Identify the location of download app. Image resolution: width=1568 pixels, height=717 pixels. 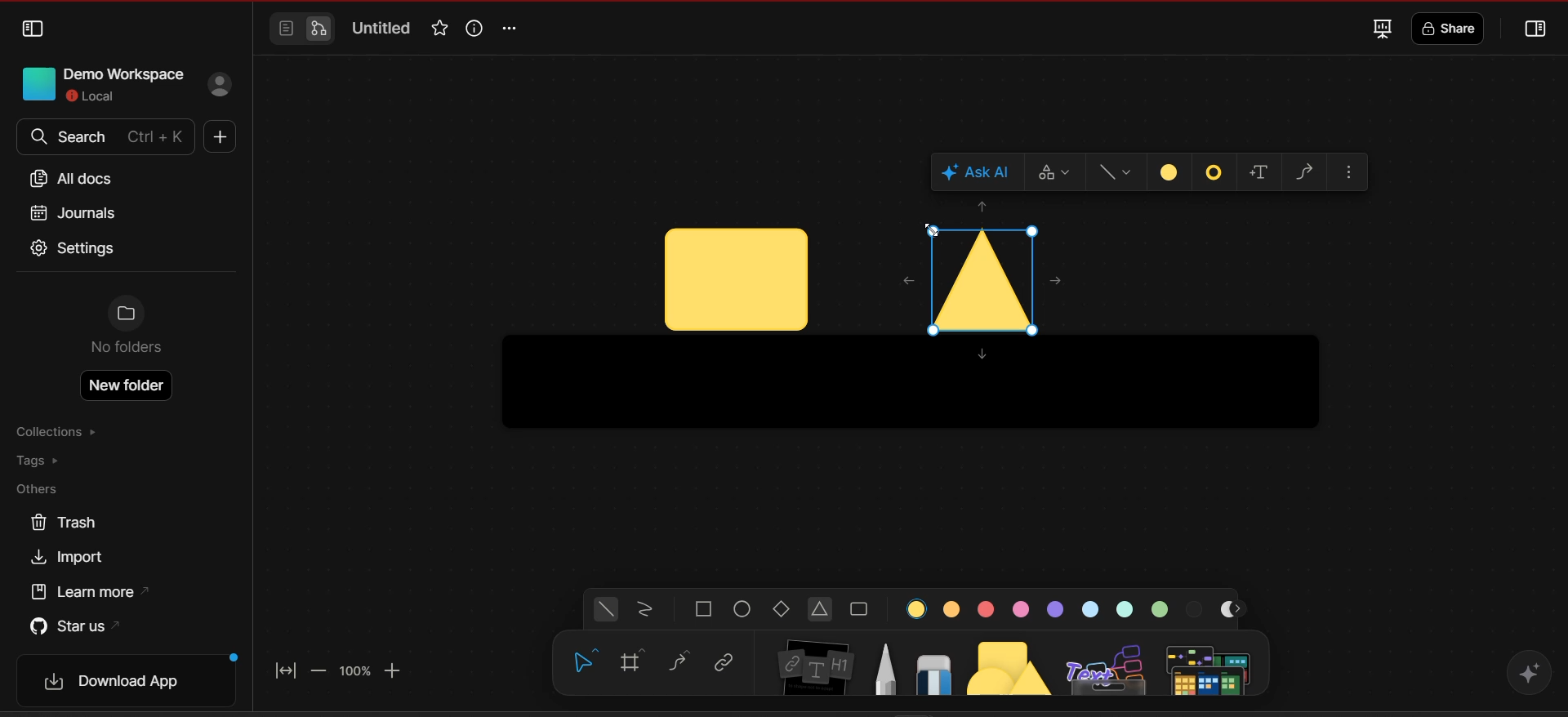
(132, 681).